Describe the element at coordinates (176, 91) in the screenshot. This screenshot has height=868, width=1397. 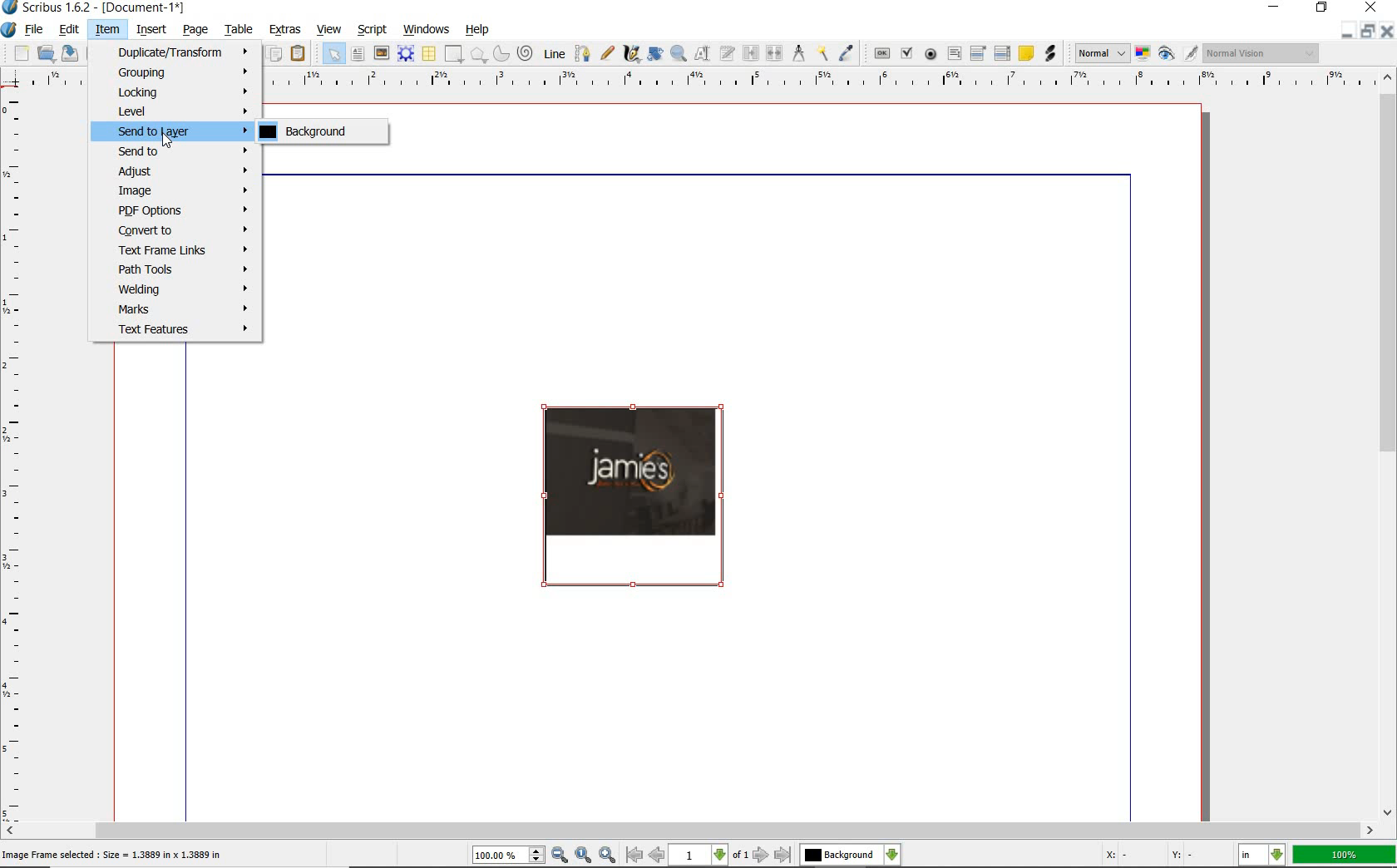
I see `Looking` at that location.